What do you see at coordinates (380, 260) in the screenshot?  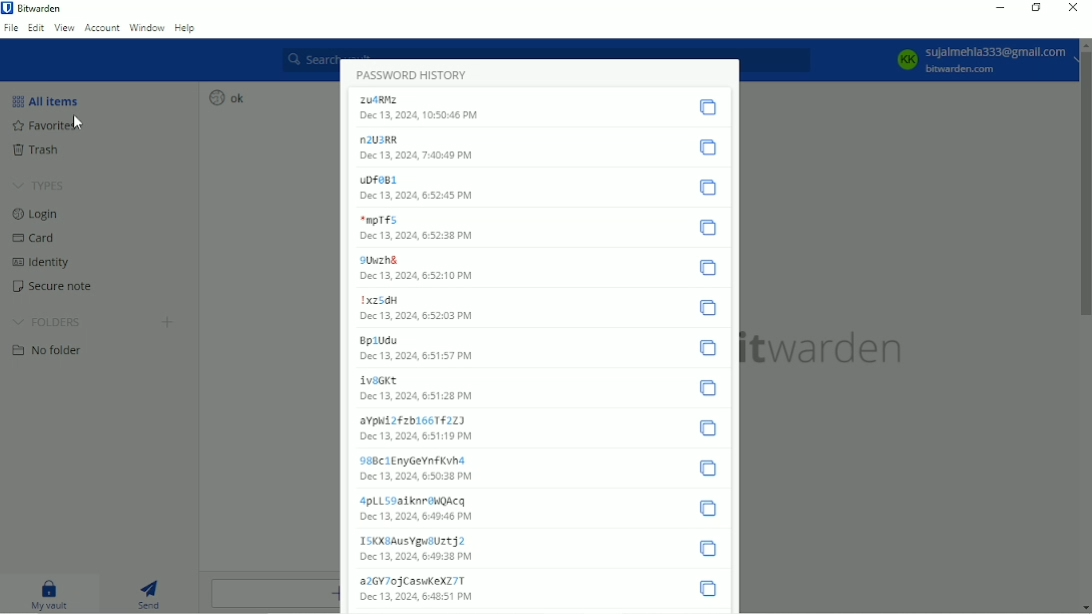 I see `9Uwzh&` at bounding box center [380, 260].